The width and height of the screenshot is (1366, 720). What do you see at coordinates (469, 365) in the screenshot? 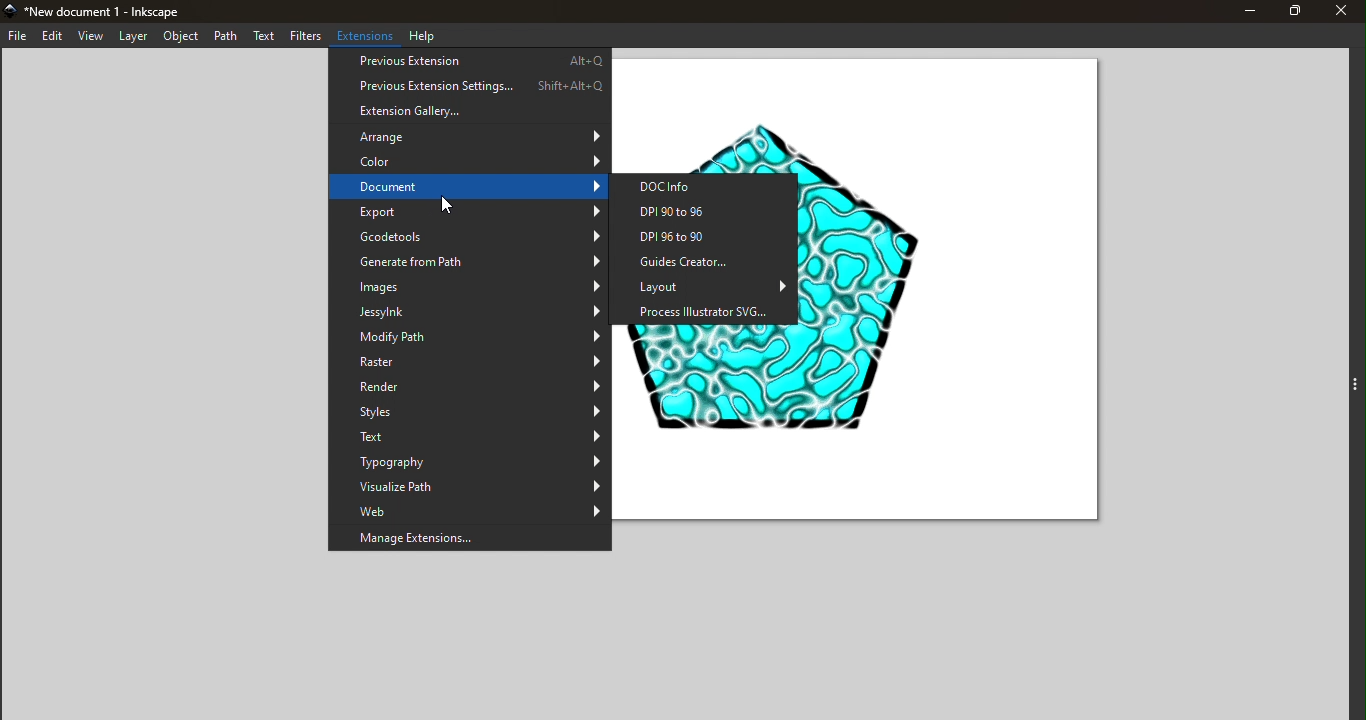
I see `Raster` at bounding box center [469, 365].